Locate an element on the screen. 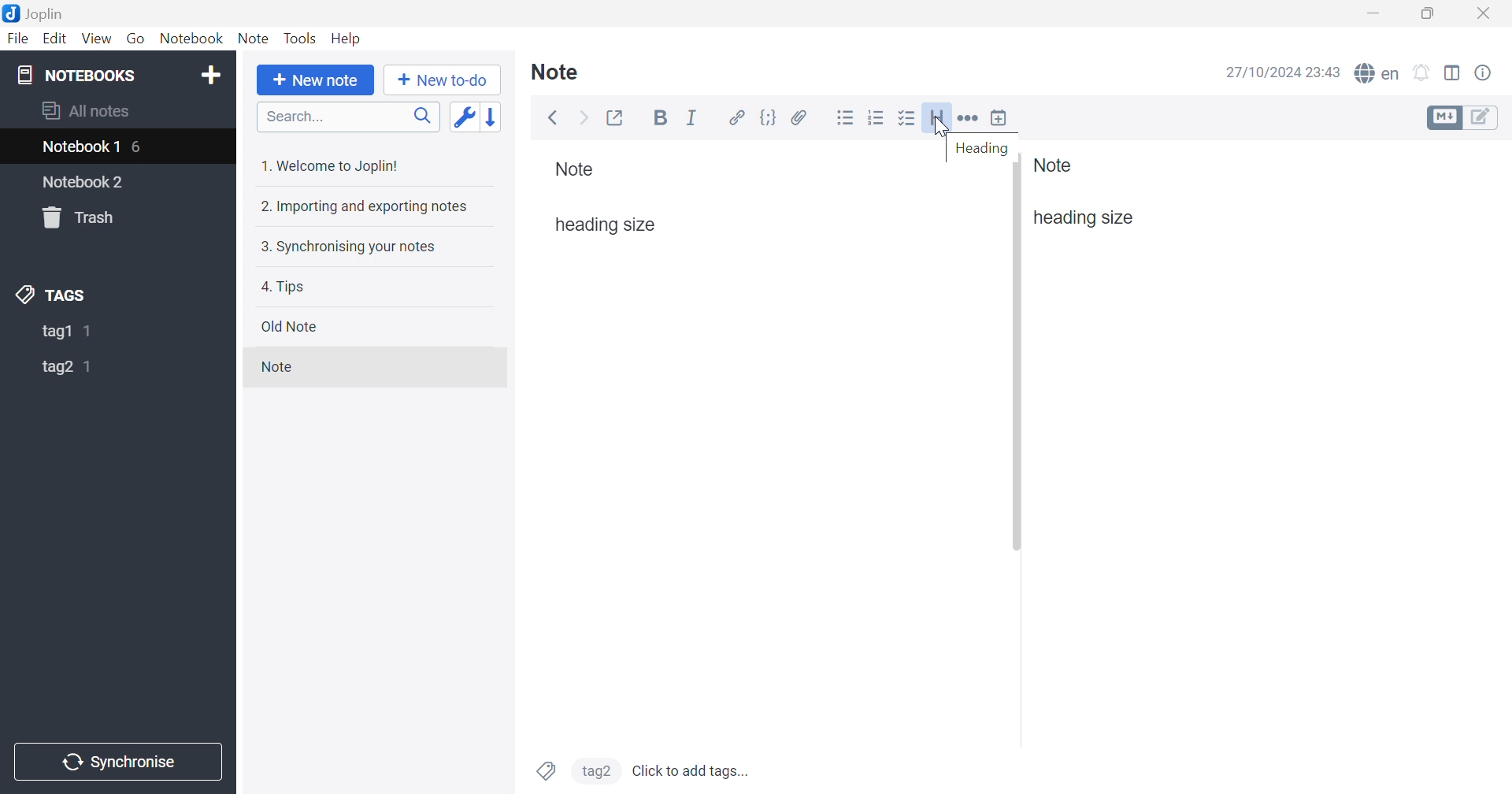 The height and width of the screenshot is (794, 1512). Note properties is located at coordinates (1484, 73).